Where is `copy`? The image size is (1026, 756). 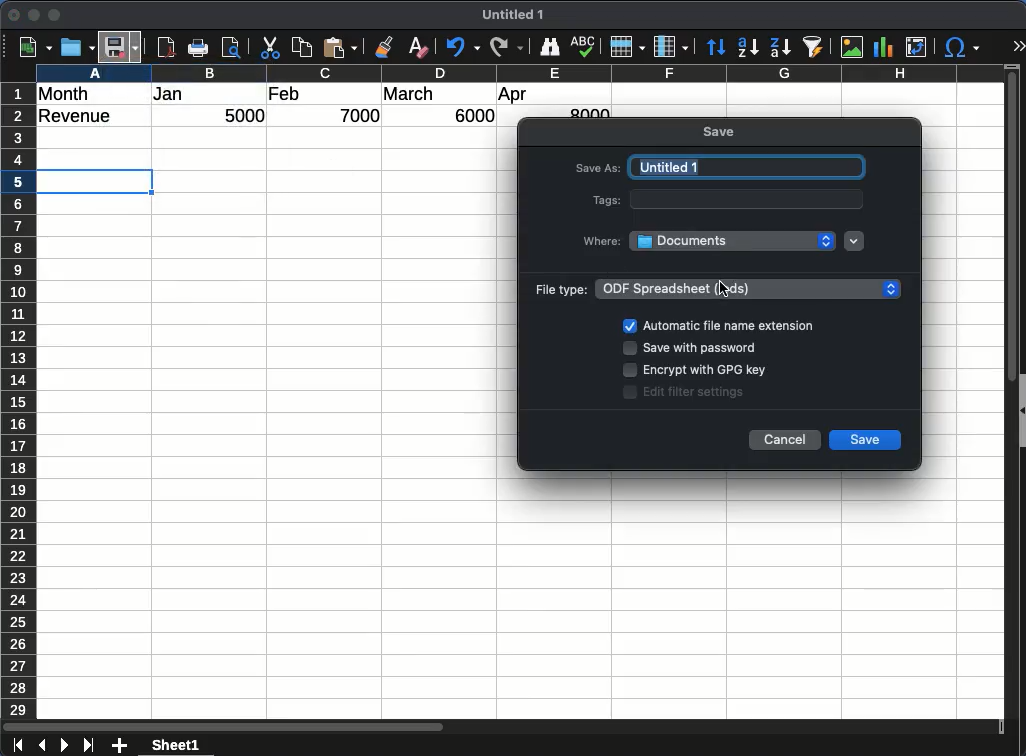 copy is located at coordinates (303, 48).